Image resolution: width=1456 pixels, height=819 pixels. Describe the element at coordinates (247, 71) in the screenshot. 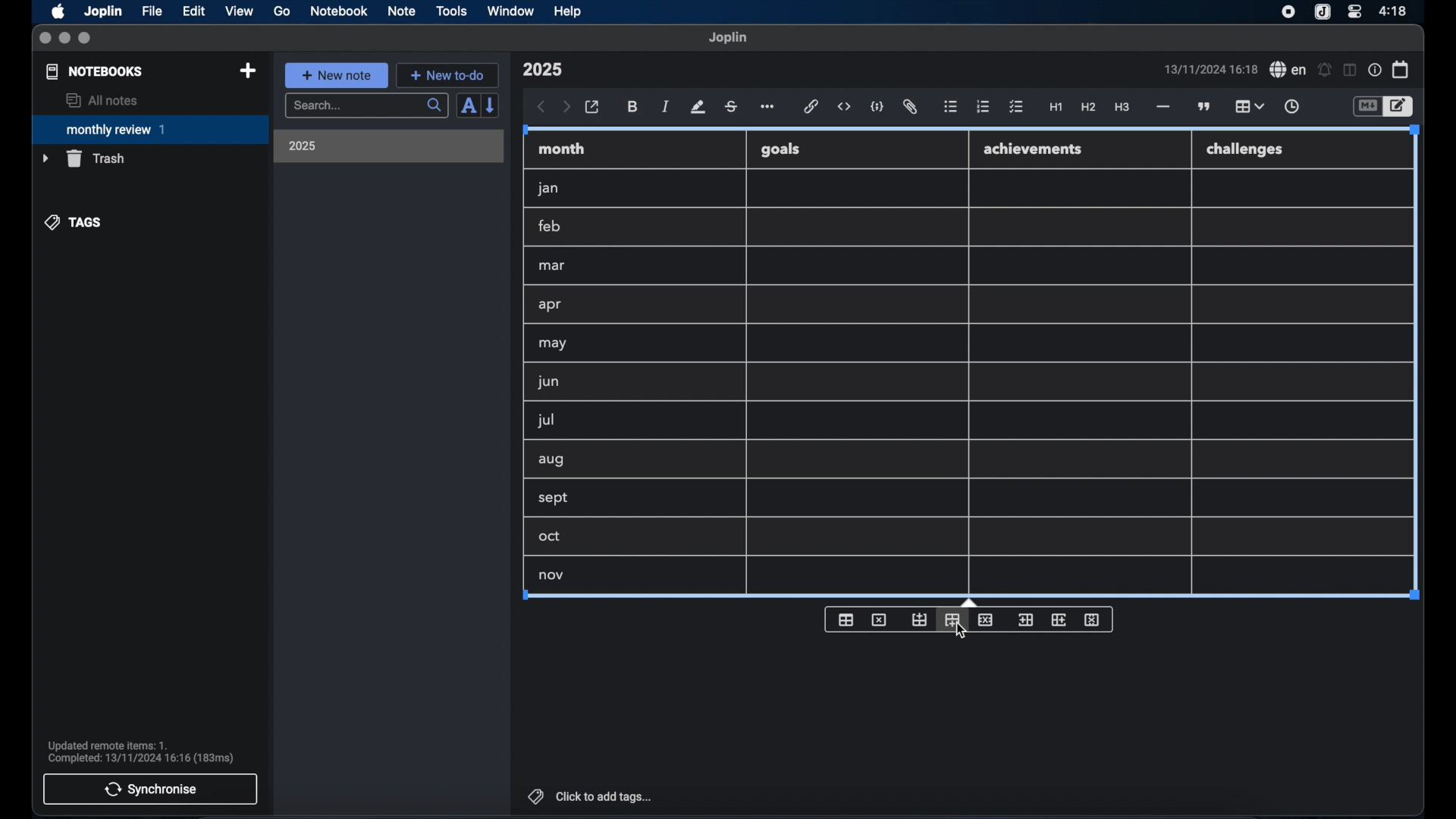

I see `new notebook` at that location.